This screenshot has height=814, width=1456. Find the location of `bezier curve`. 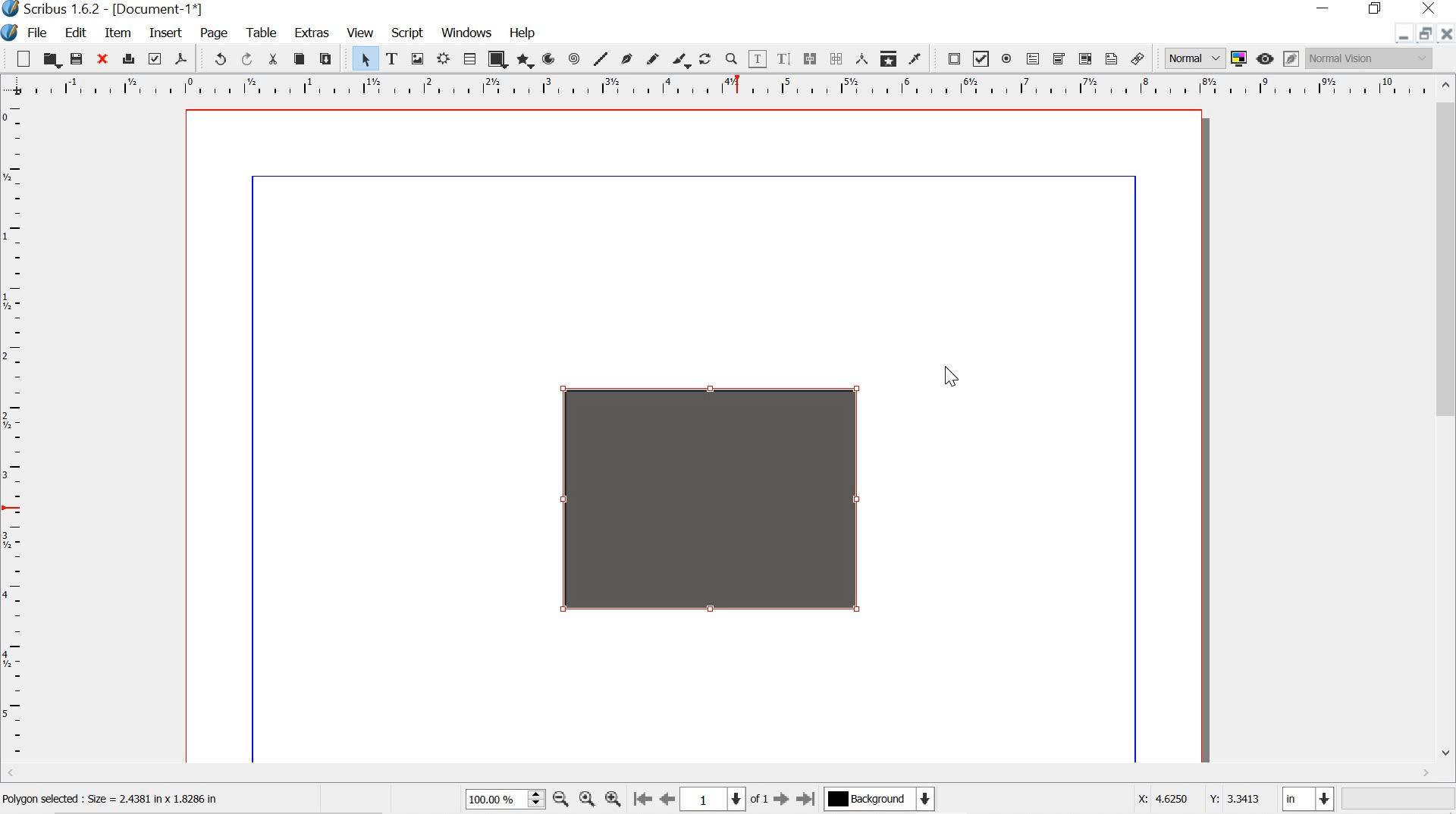

bezier curve is located at coordinates (628, 58).